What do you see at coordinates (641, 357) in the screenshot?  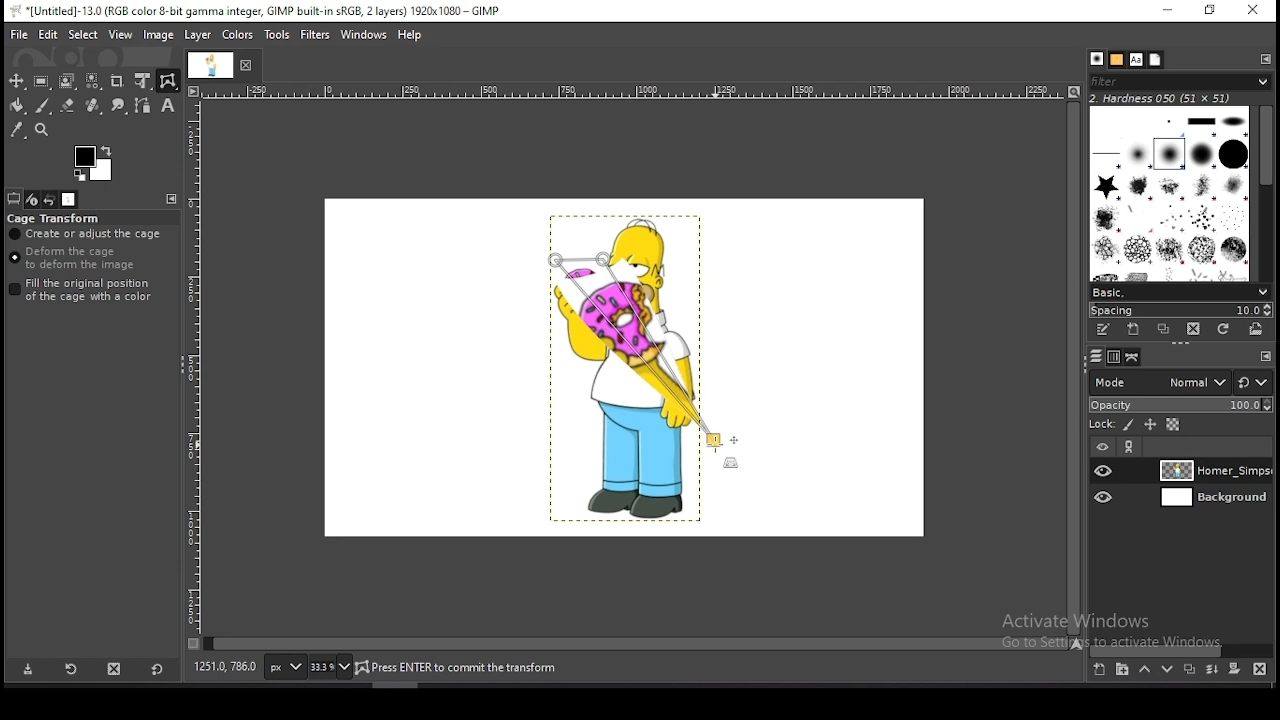 I see `image(cage transform)` at bounding box center [641, 357].